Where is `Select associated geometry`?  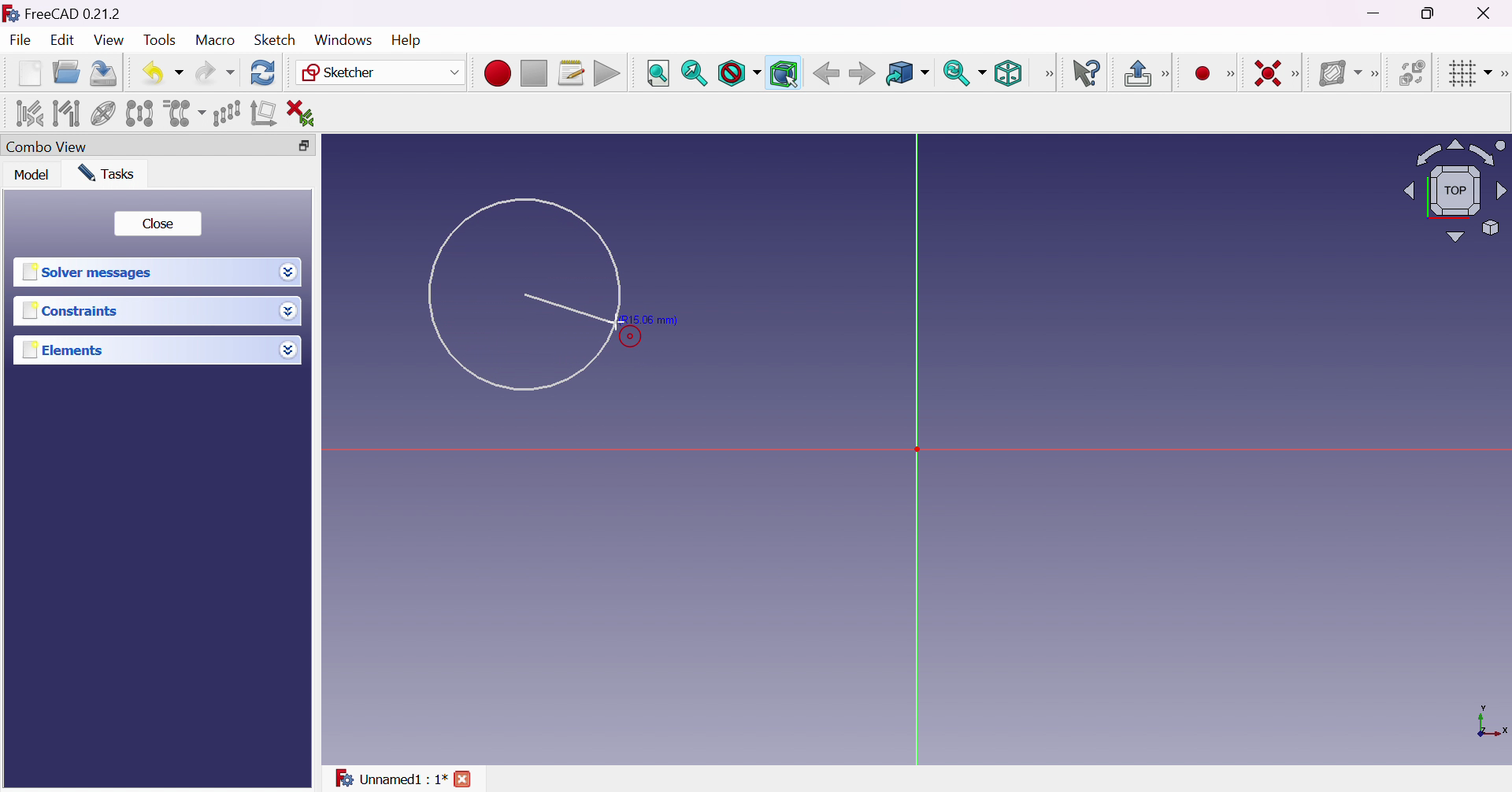 Select associated geometry is located at coordinates (67, 112).